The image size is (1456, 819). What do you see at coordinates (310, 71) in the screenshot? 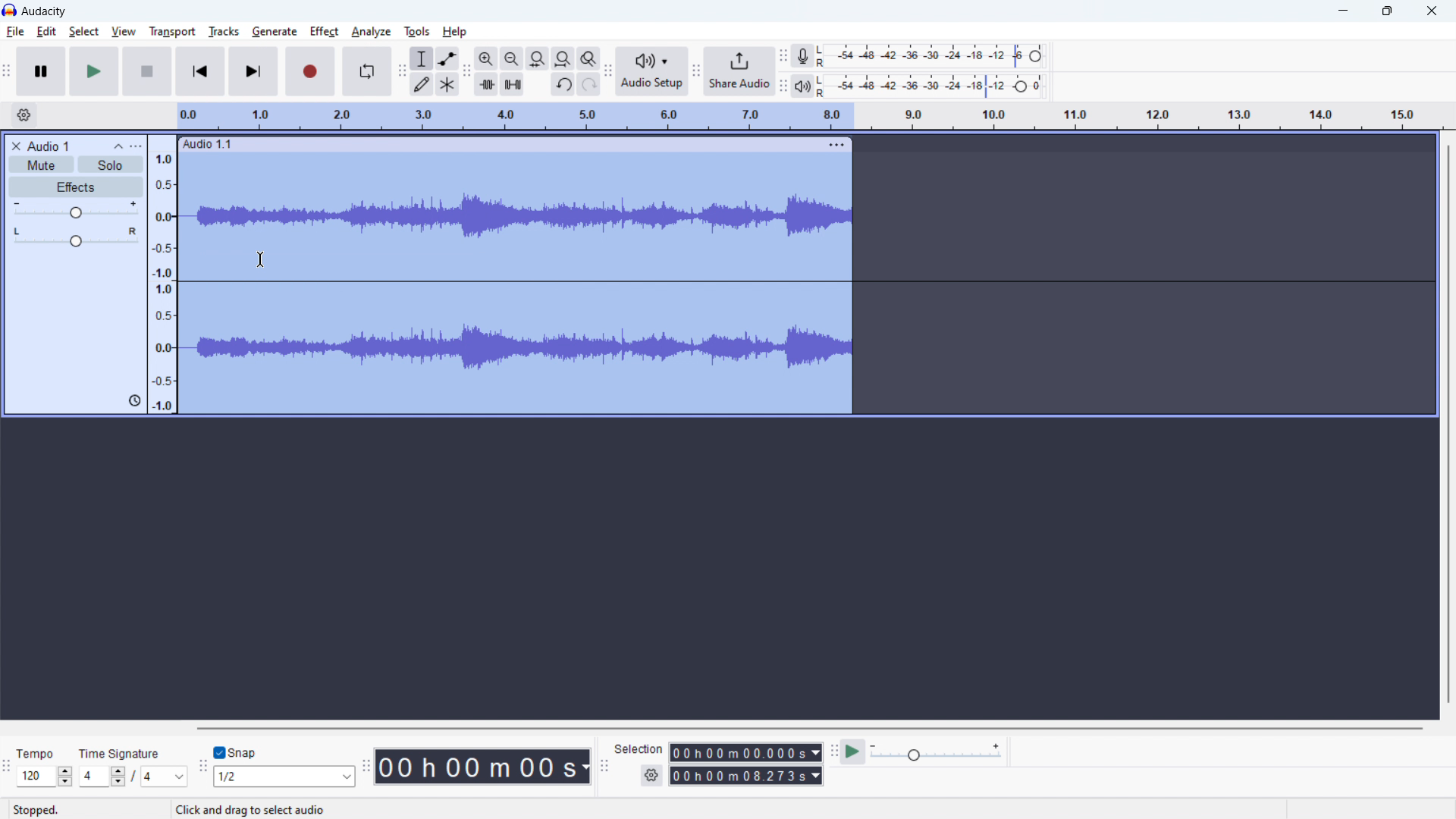
I see `record` at bounding box center [310, 71].